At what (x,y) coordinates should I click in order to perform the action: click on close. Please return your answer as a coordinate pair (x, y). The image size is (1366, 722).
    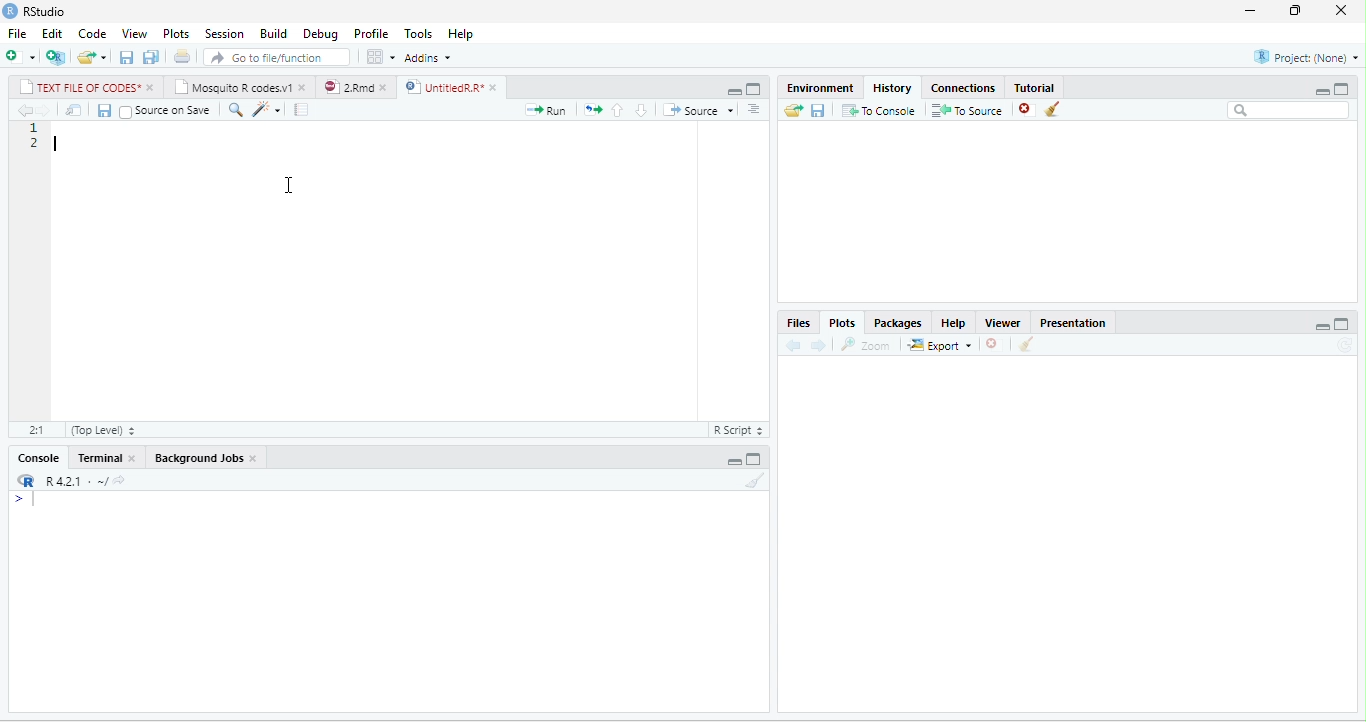
    Looking at the image, I should click on (304, 89).